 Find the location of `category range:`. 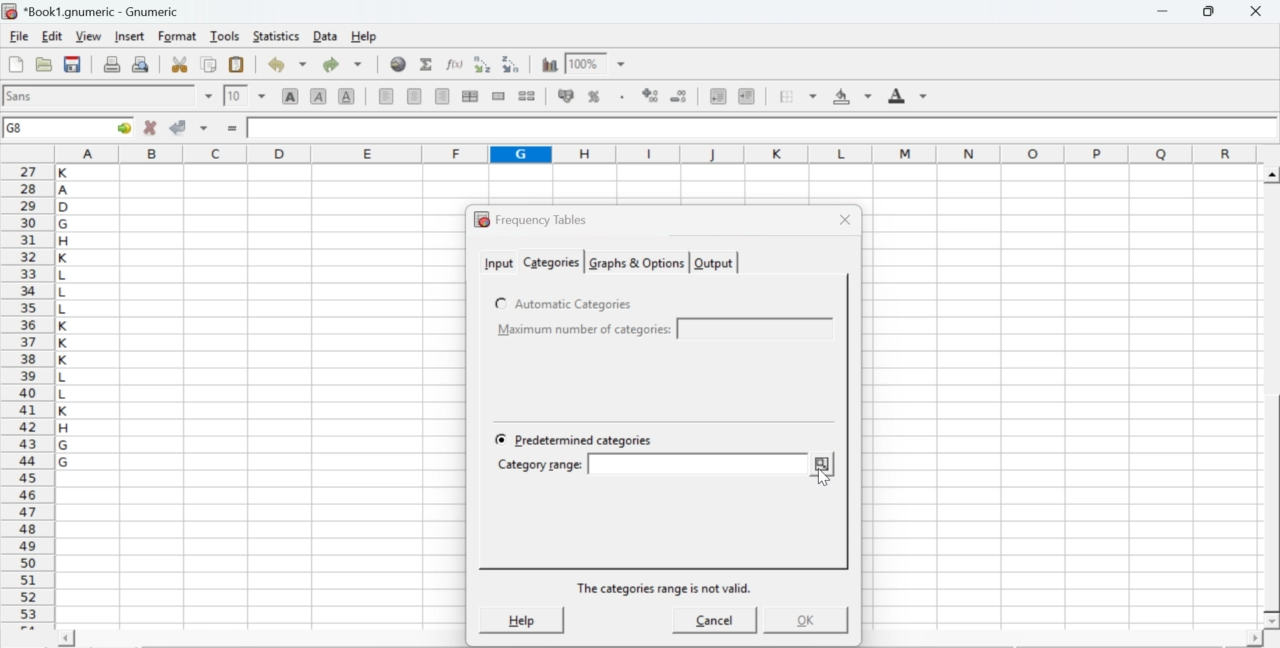

category range: is located at coordinates (542, 467).